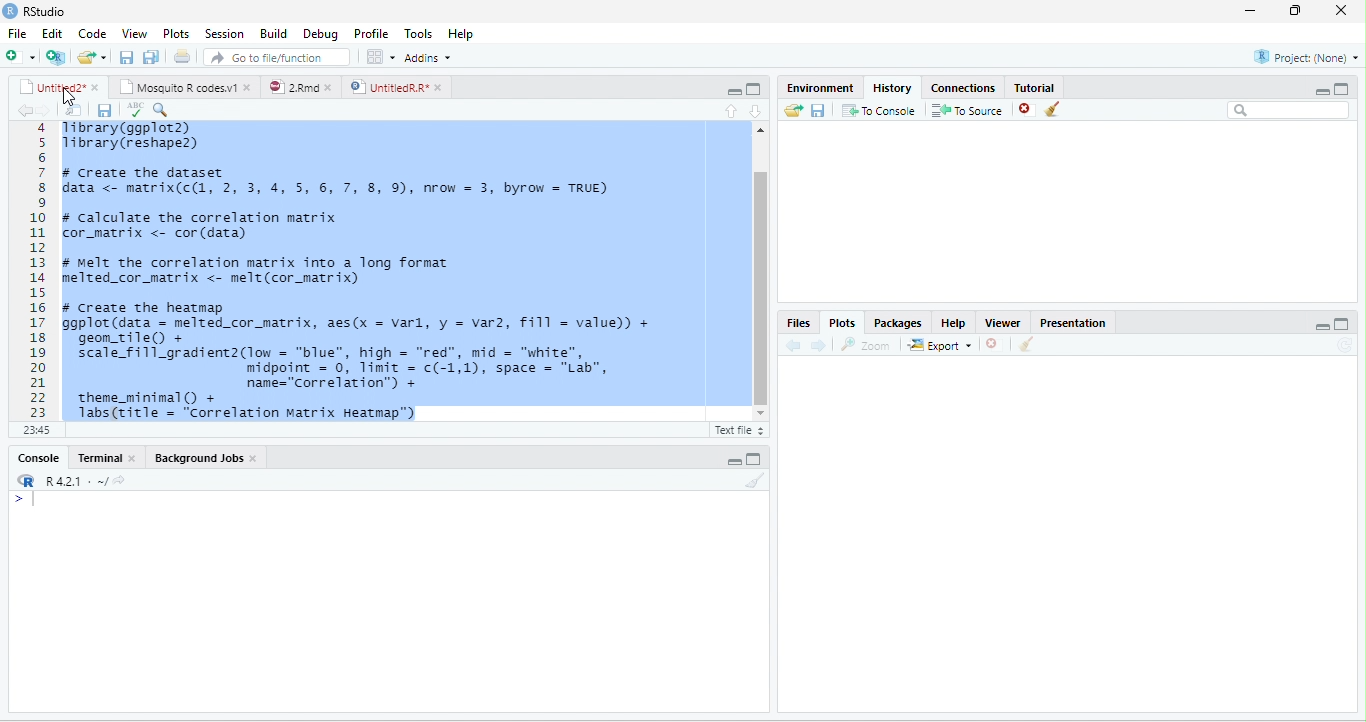 The height and width of the screenshot is (722, 1366). What do you see at coordinates (734, 460) in the screenshot?
I see `minimize` at bounding box center [734, 460].